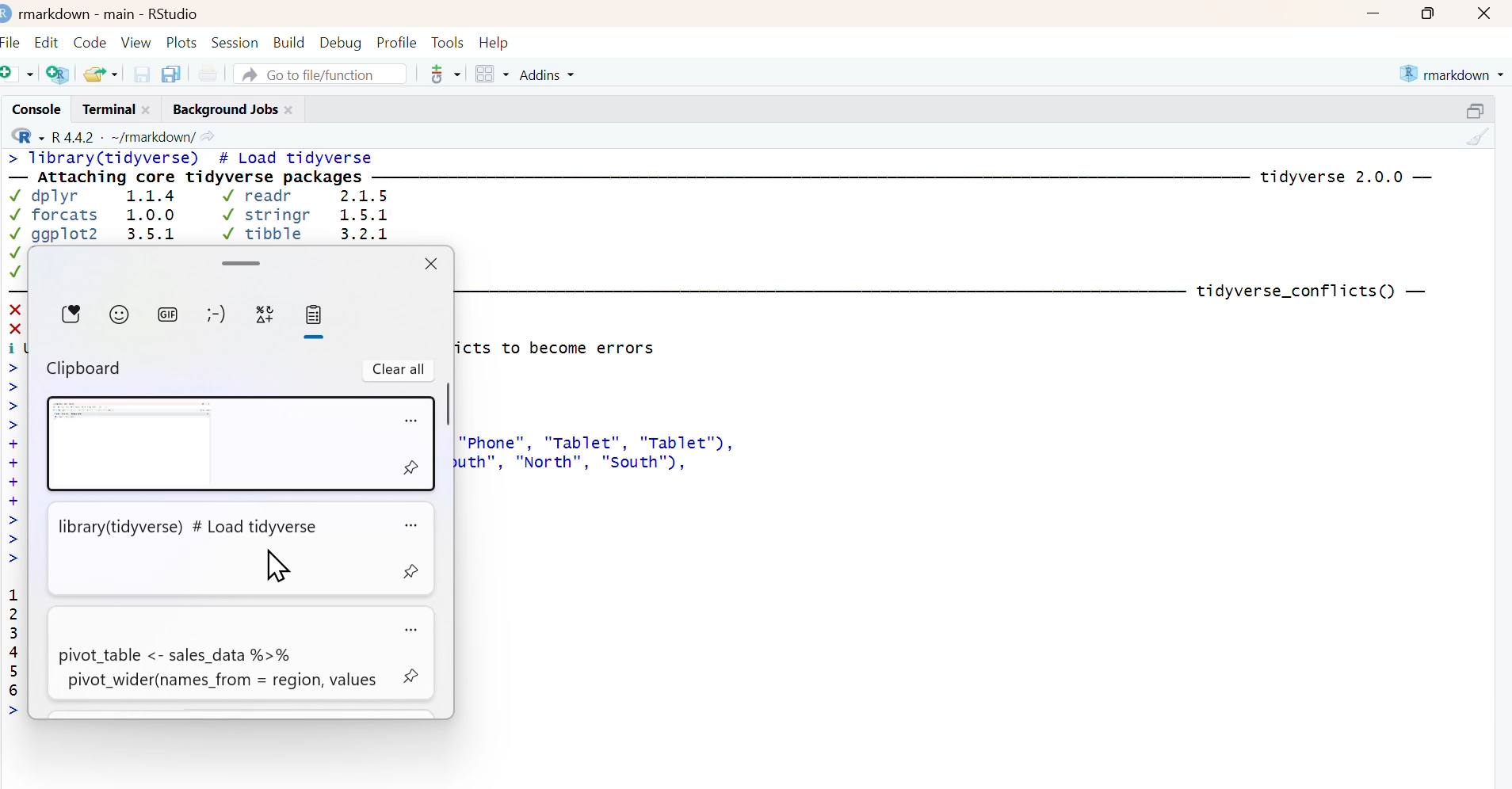 Image resolution: width=1512 pixels, height=789 pixels. I want to click on clear all, so click(395, 370).